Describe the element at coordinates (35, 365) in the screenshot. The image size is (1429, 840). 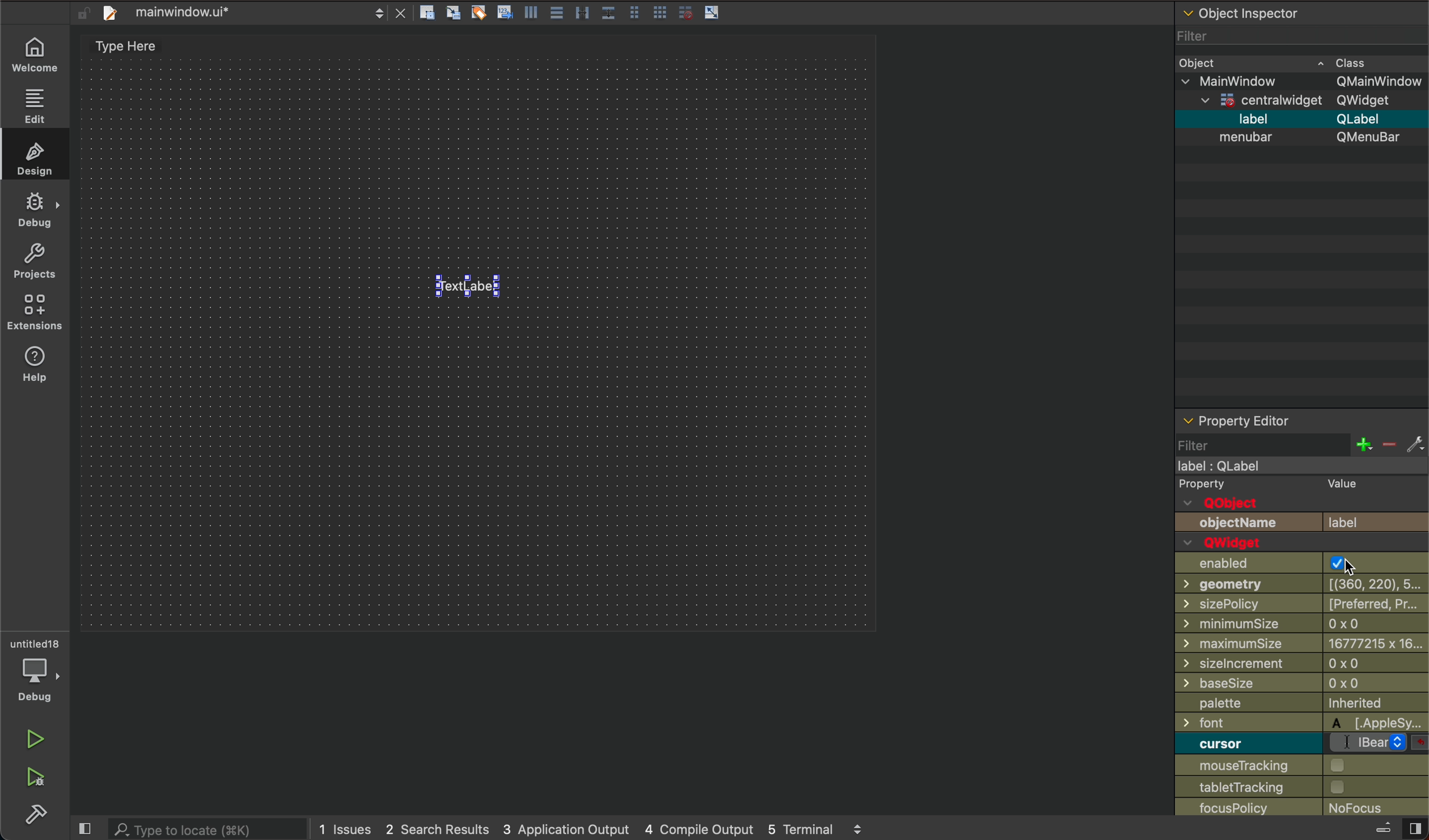
I see `help` at that location.